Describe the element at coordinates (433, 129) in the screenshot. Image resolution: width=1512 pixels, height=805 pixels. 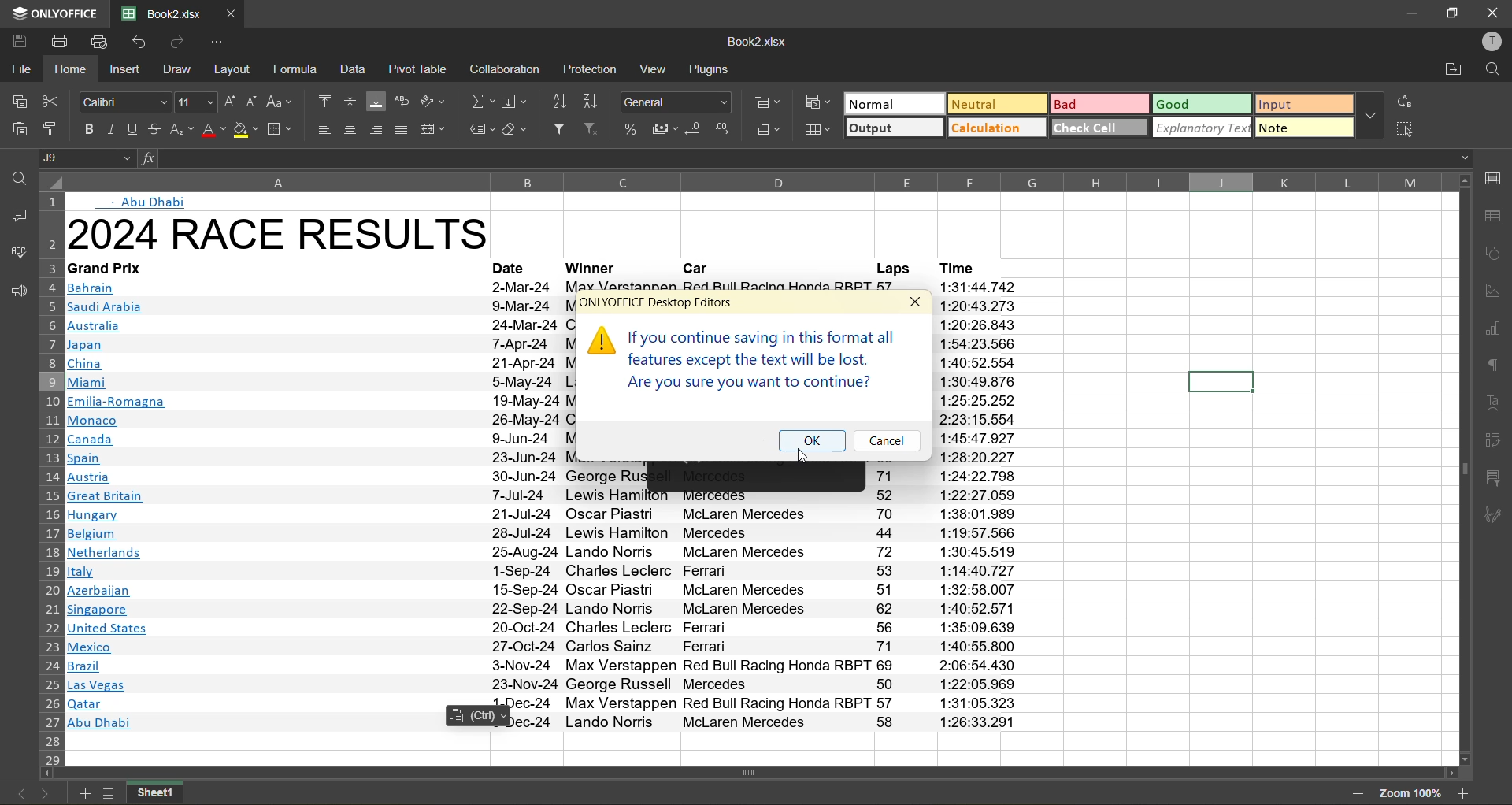
I see `merge and center` at that location.